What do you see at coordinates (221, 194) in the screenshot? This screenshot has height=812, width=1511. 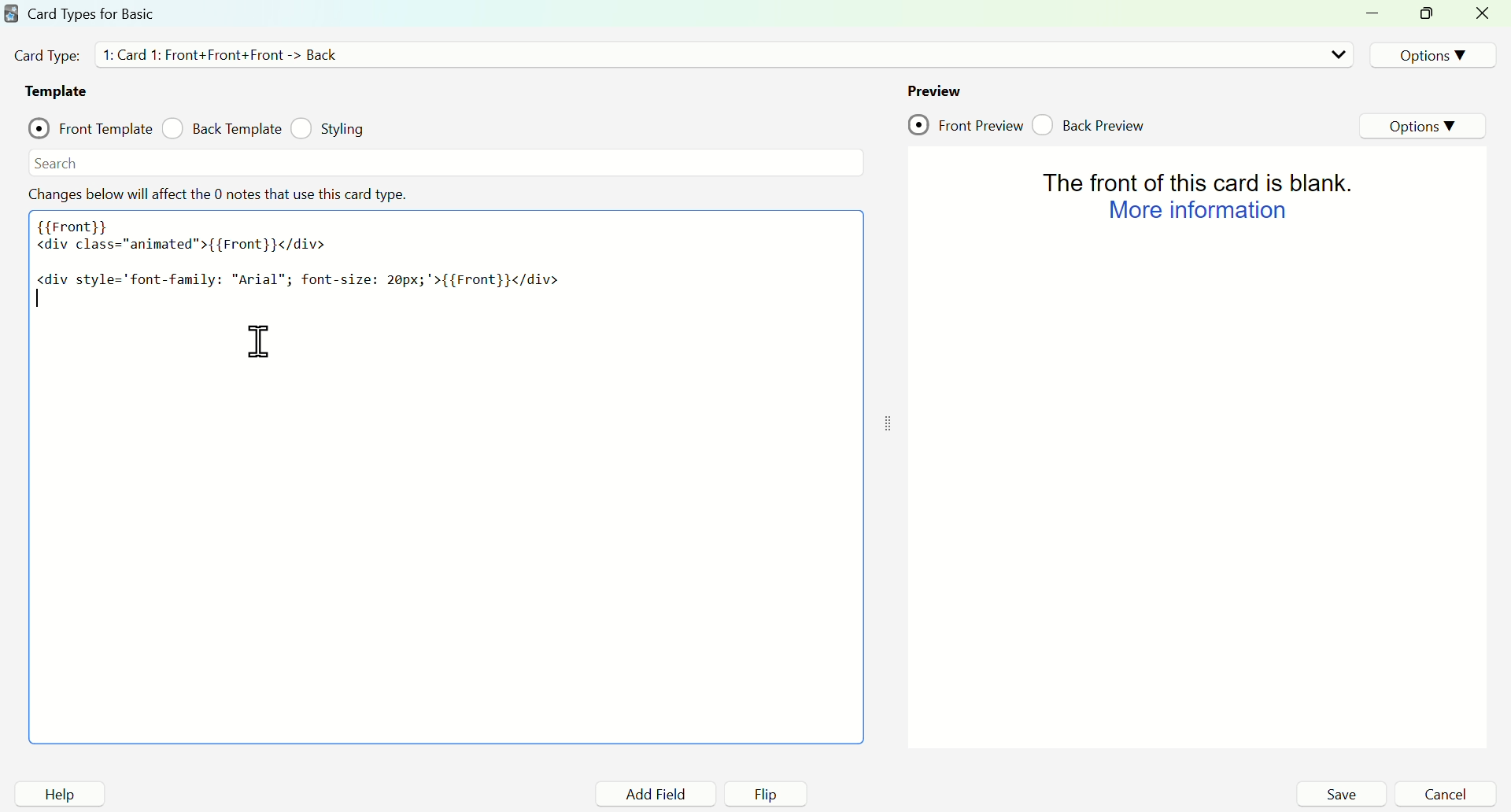 I see `changes below will affect the 0 notes that use this card type` at bounding box center [221, 194].